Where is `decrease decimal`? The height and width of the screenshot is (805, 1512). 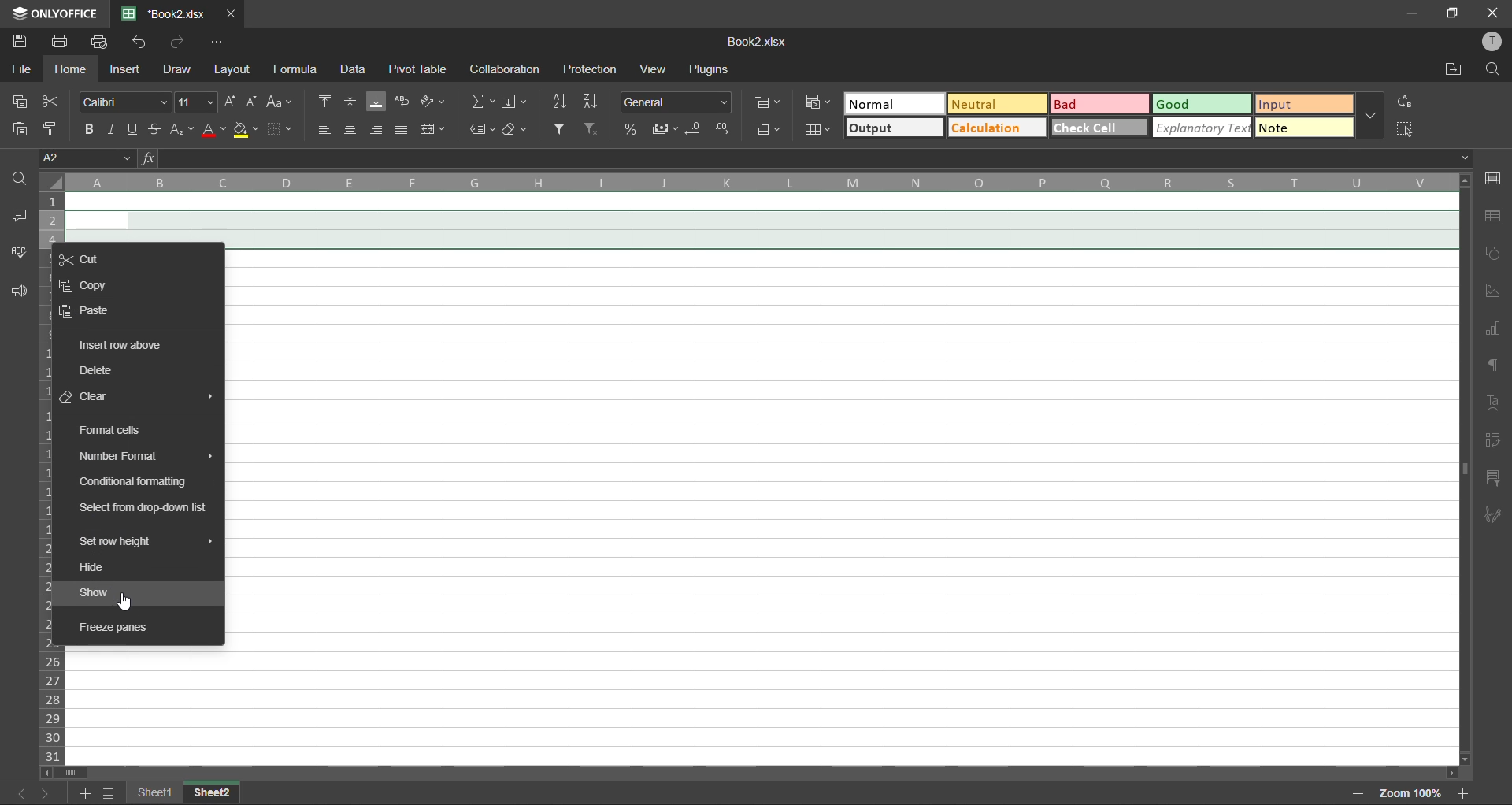 decrease decimal is located at coordinates (698, 130).